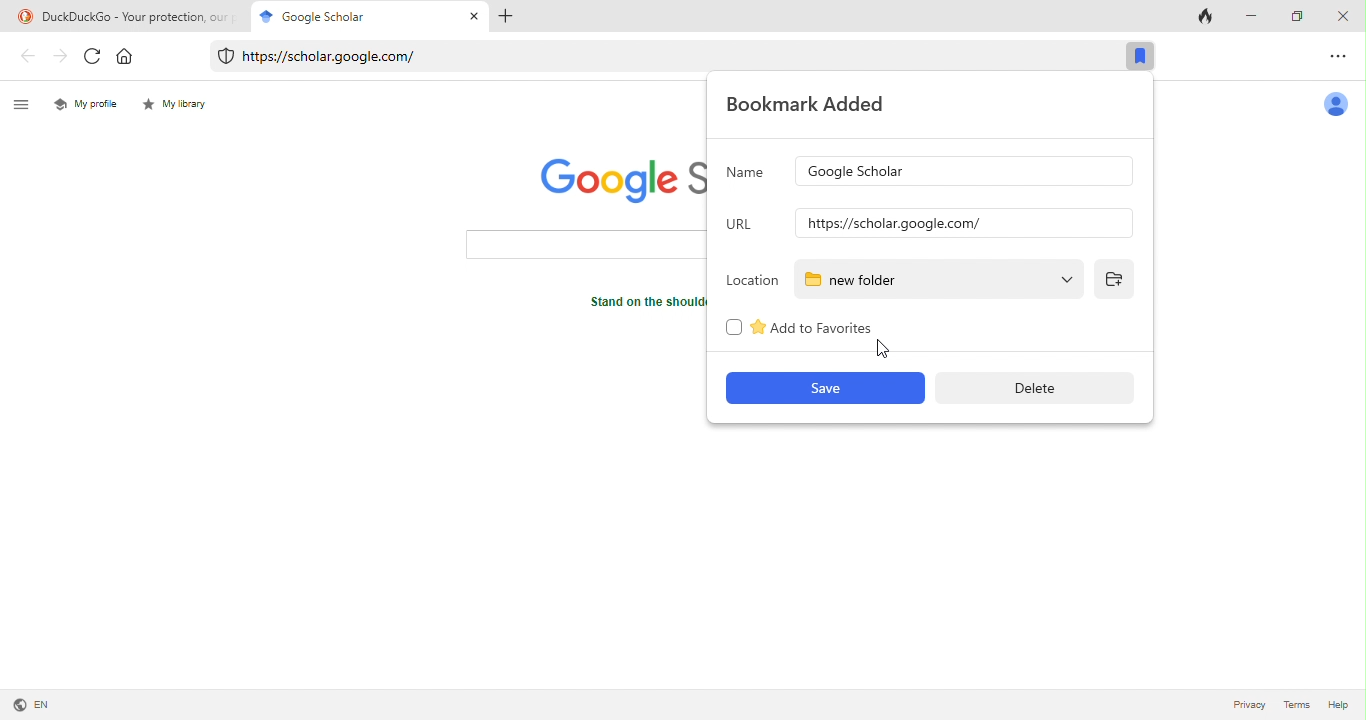 The image size is (1366, 720). I want to click on option, so click(1343, 57).